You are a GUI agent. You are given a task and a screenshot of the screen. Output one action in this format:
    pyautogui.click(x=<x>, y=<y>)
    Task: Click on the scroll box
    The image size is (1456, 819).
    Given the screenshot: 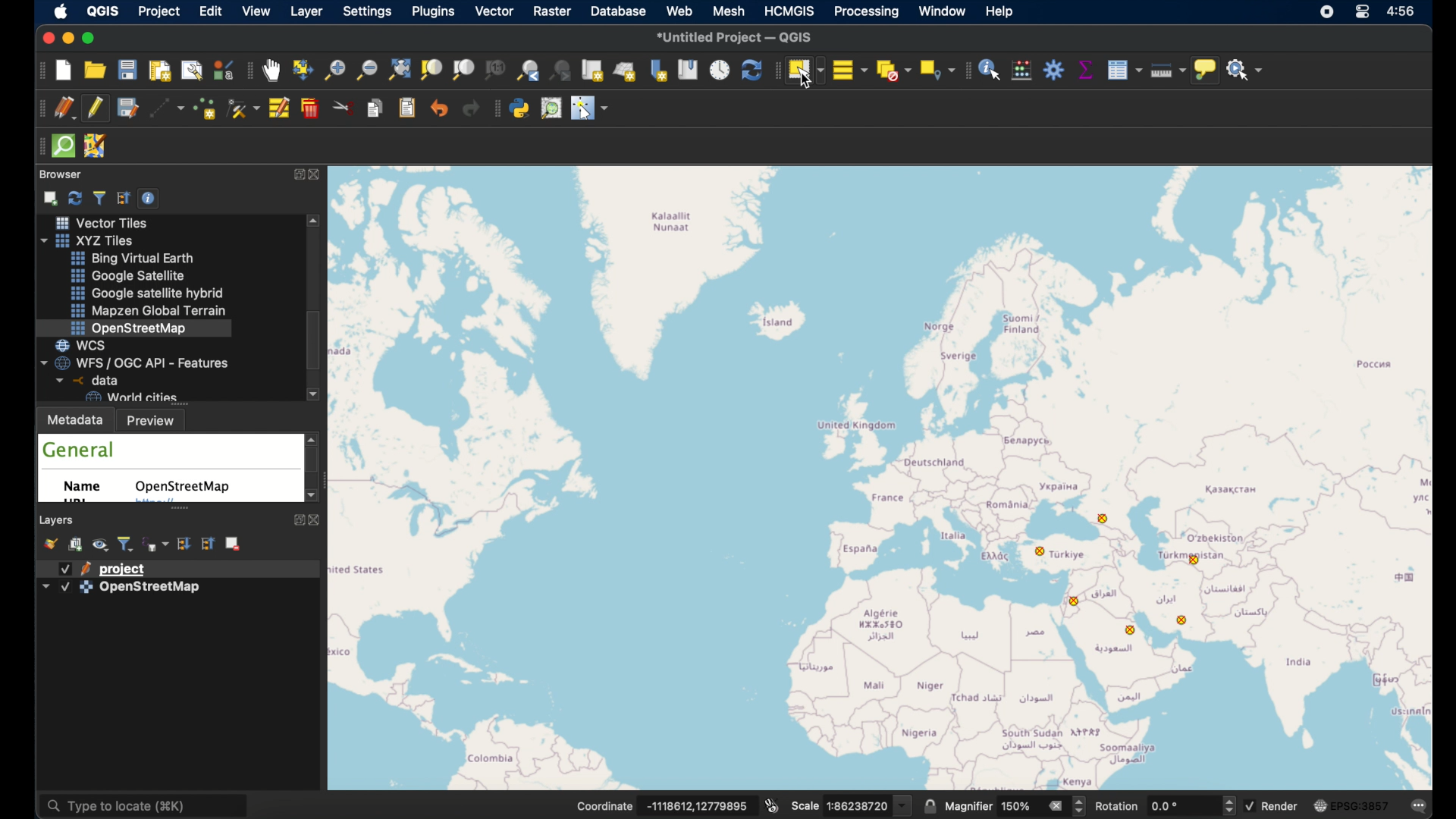 What is the action you would take?
    pyautogui.click(x=317, y=341)
    